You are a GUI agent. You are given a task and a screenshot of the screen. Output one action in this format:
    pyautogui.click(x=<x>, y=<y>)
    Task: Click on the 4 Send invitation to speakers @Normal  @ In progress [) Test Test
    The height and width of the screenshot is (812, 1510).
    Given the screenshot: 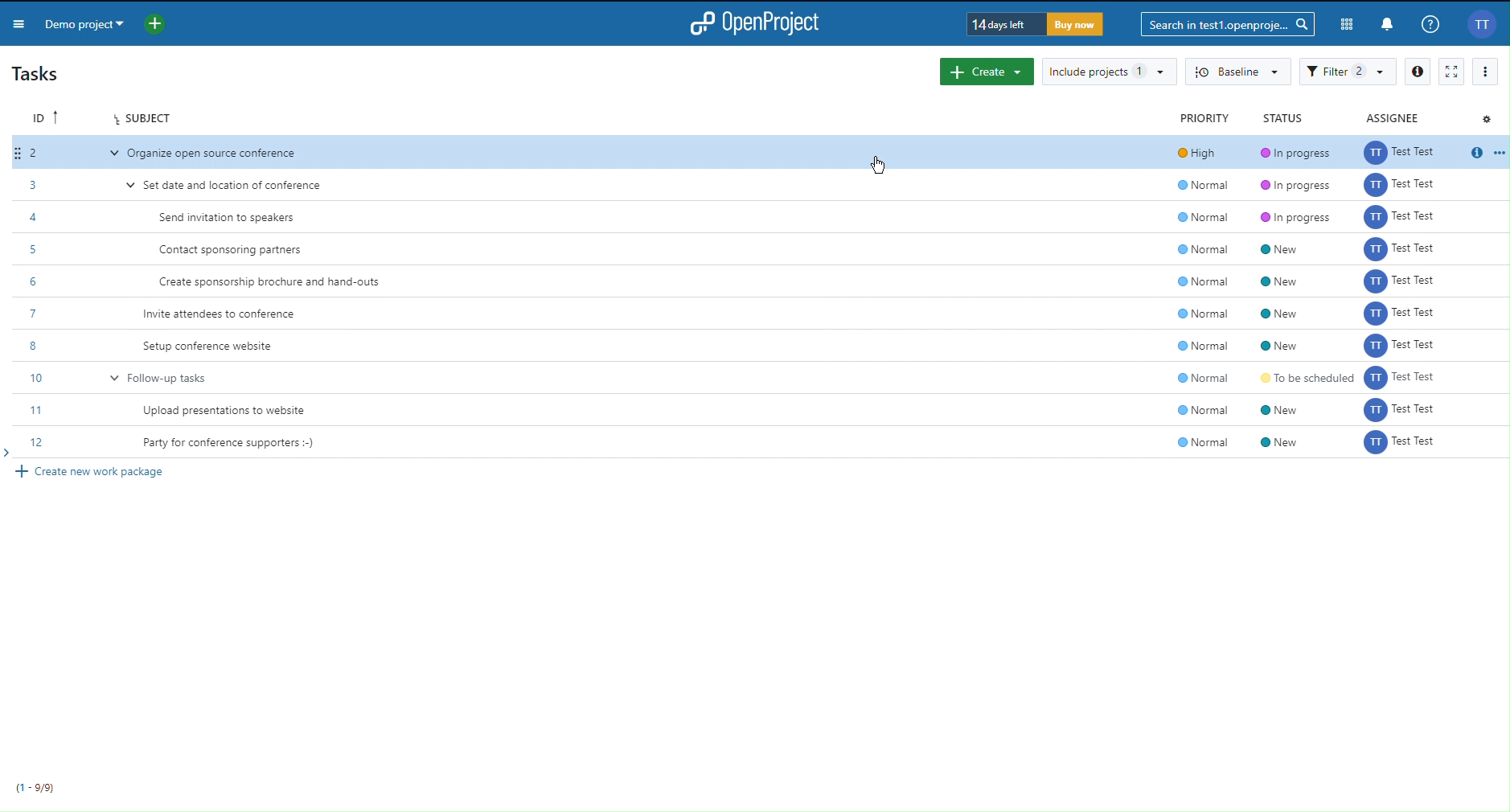 What is the action you would take?
    pyautogui.click(x=762, y=218)
    